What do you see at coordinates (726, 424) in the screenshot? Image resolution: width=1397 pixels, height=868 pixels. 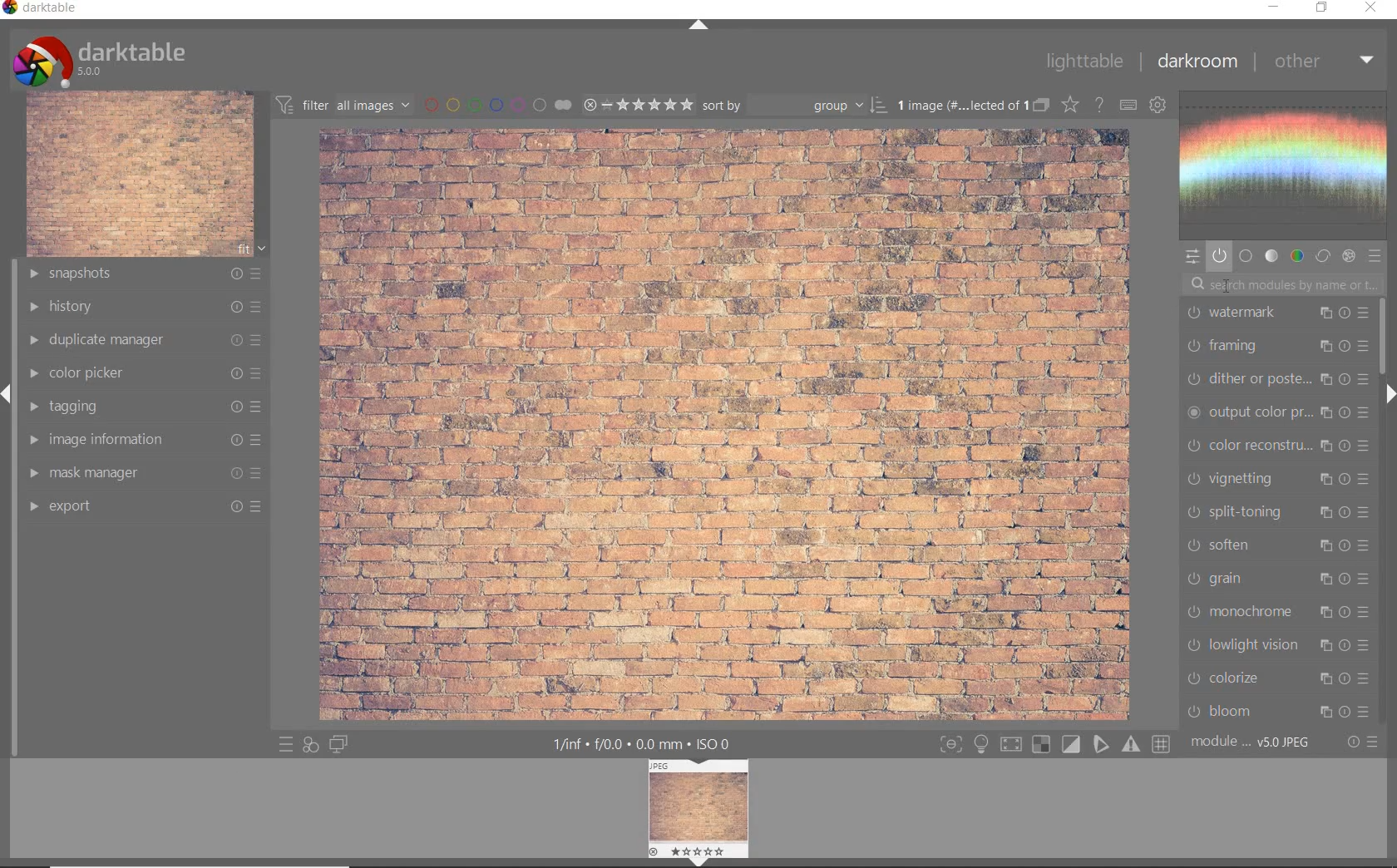 I see `selected image` at bounding box center [726, 424].